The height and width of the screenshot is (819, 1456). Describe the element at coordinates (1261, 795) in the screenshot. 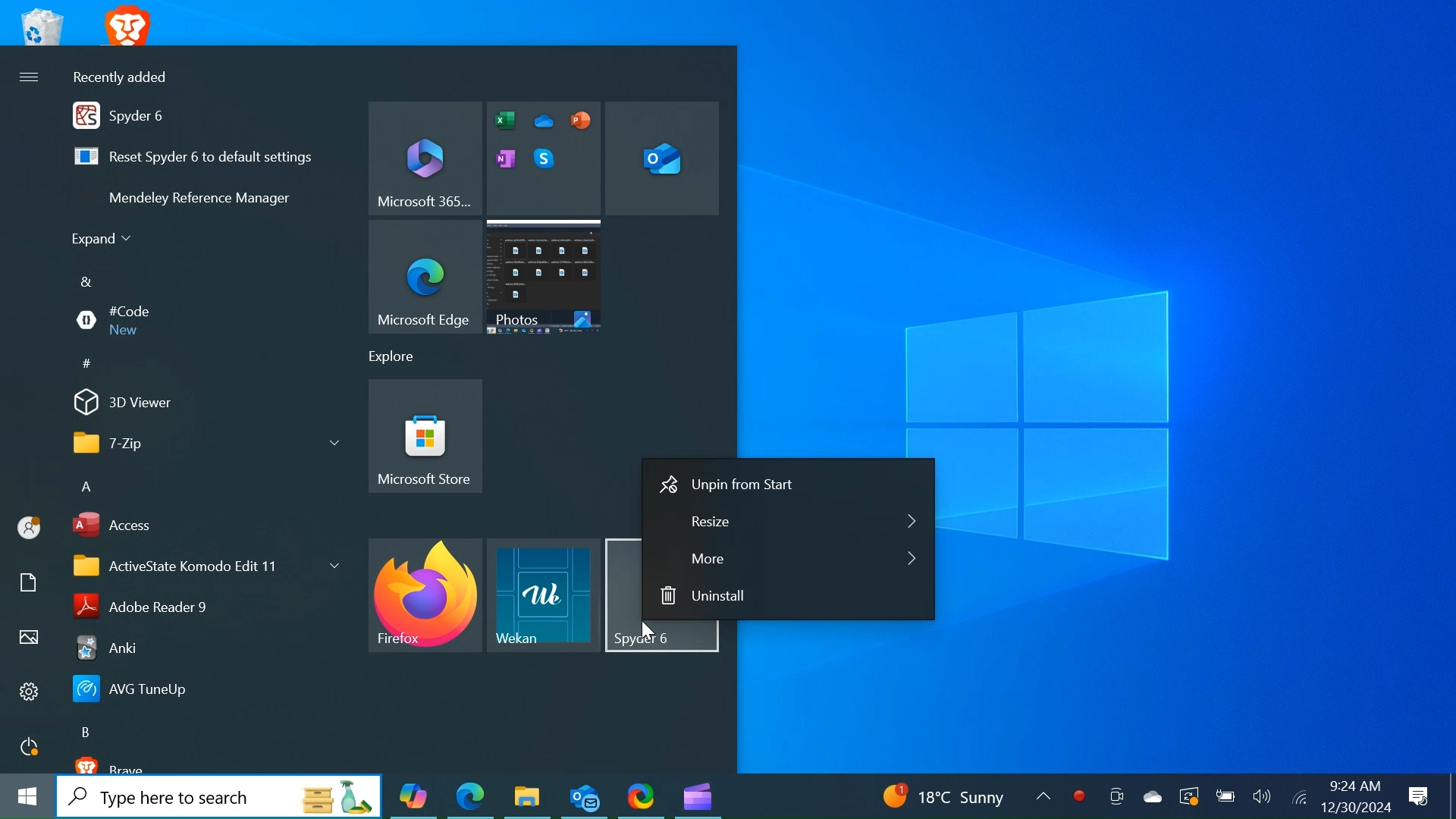

I see `Speaker` at that location.